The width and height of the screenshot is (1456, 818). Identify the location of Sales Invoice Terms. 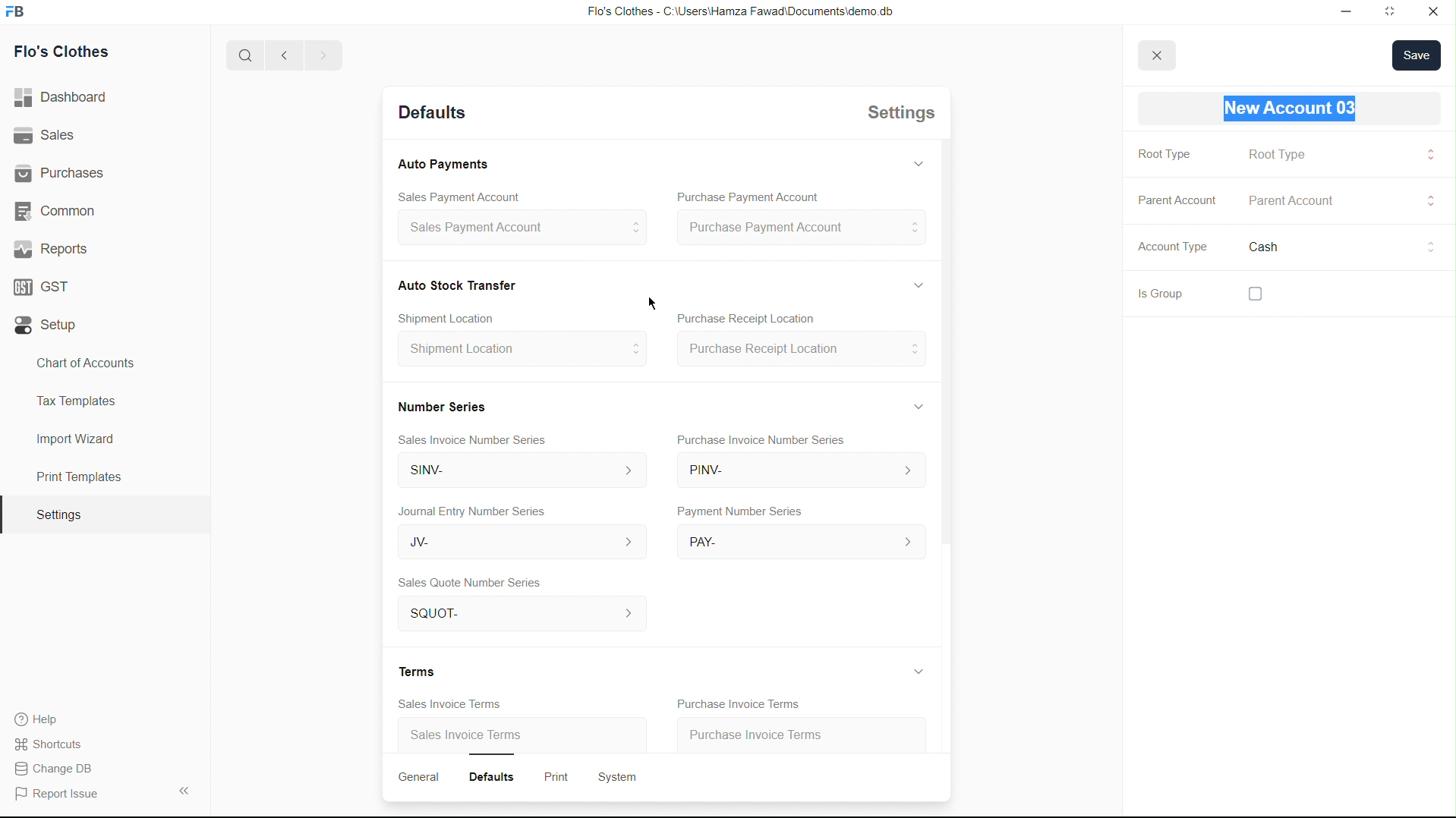
(468, 737).